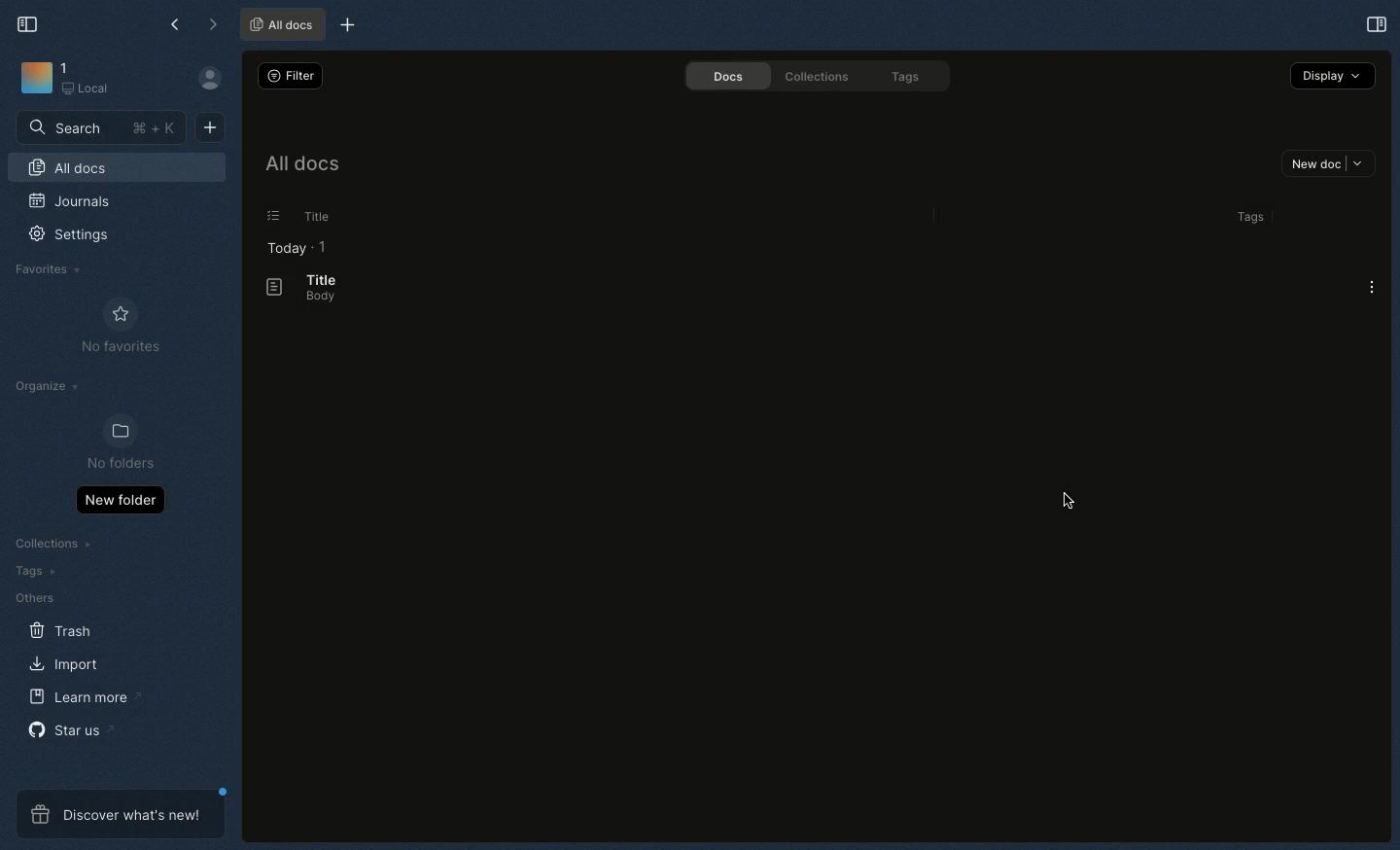 The height and width of the screenshot is (850, 1400). Describe the element at coordinates (1246, 217) in the screenshot. I see `Tags` at that location.